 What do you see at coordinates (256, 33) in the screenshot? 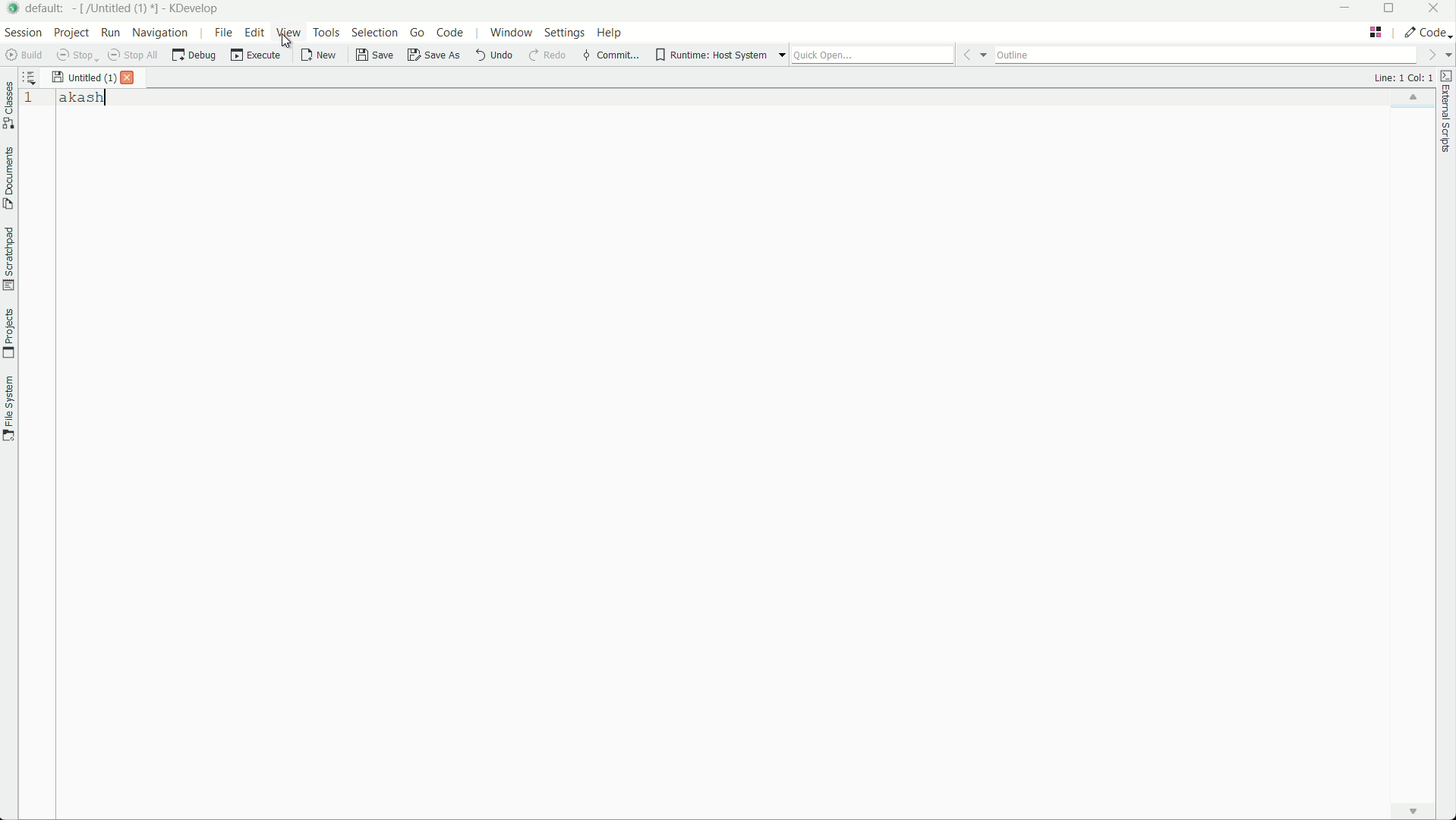
I see `edit` at bounding box center [256, 33].